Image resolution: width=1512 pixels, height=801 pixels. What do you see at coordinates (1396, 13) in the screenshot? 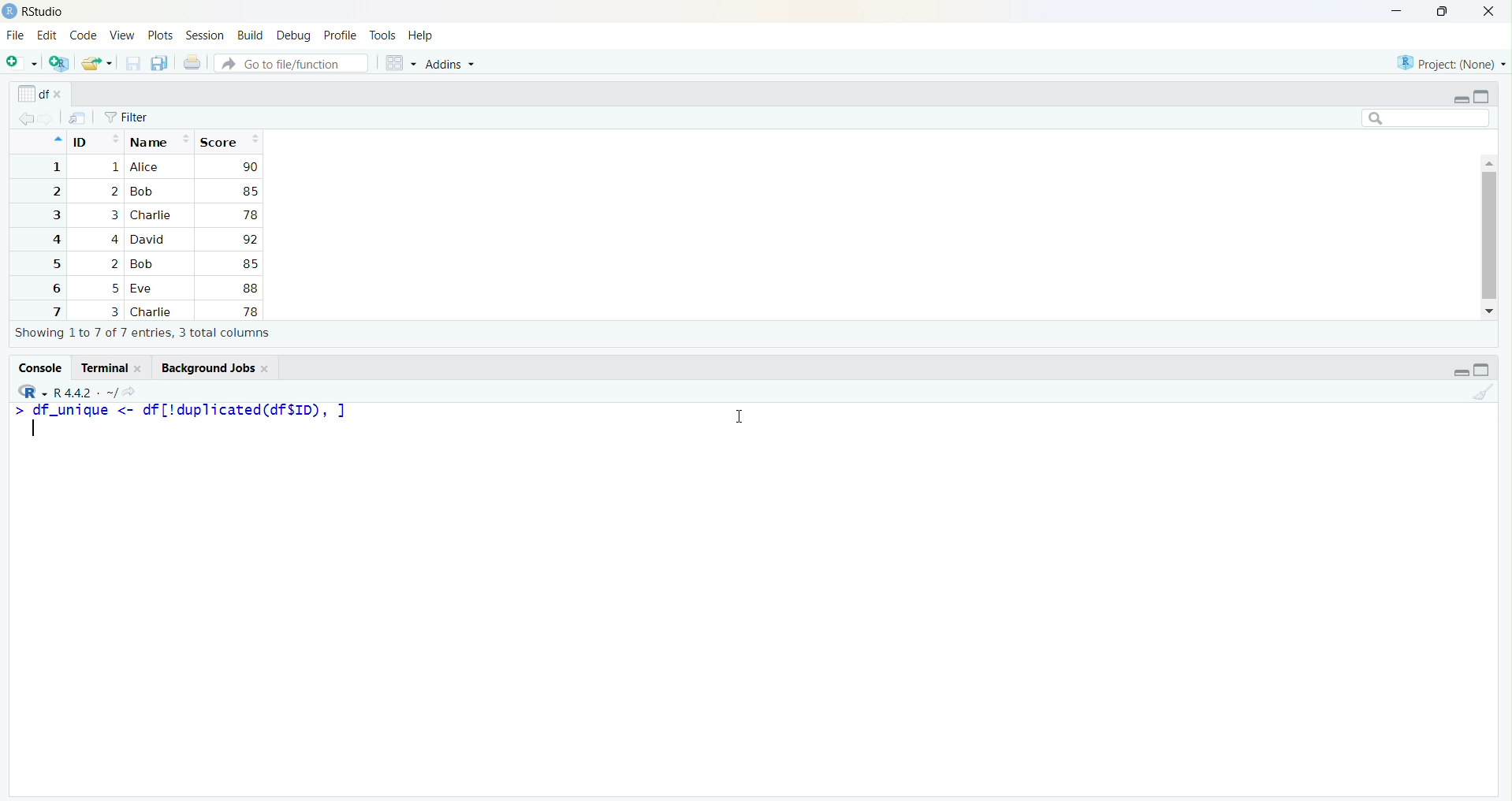
I see `minimize` at bounding box center [1396, 13].